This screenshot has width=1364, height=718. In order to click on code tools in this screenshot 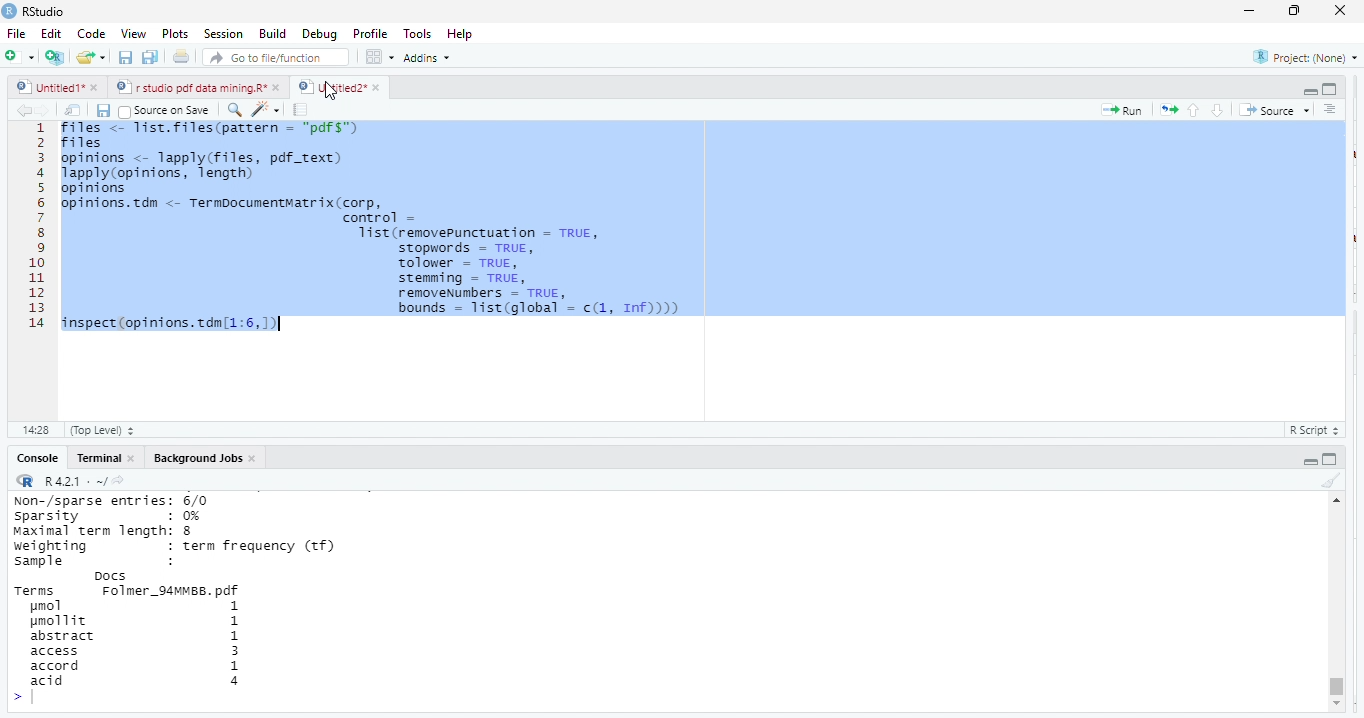, I will do `click(265, 108)`.